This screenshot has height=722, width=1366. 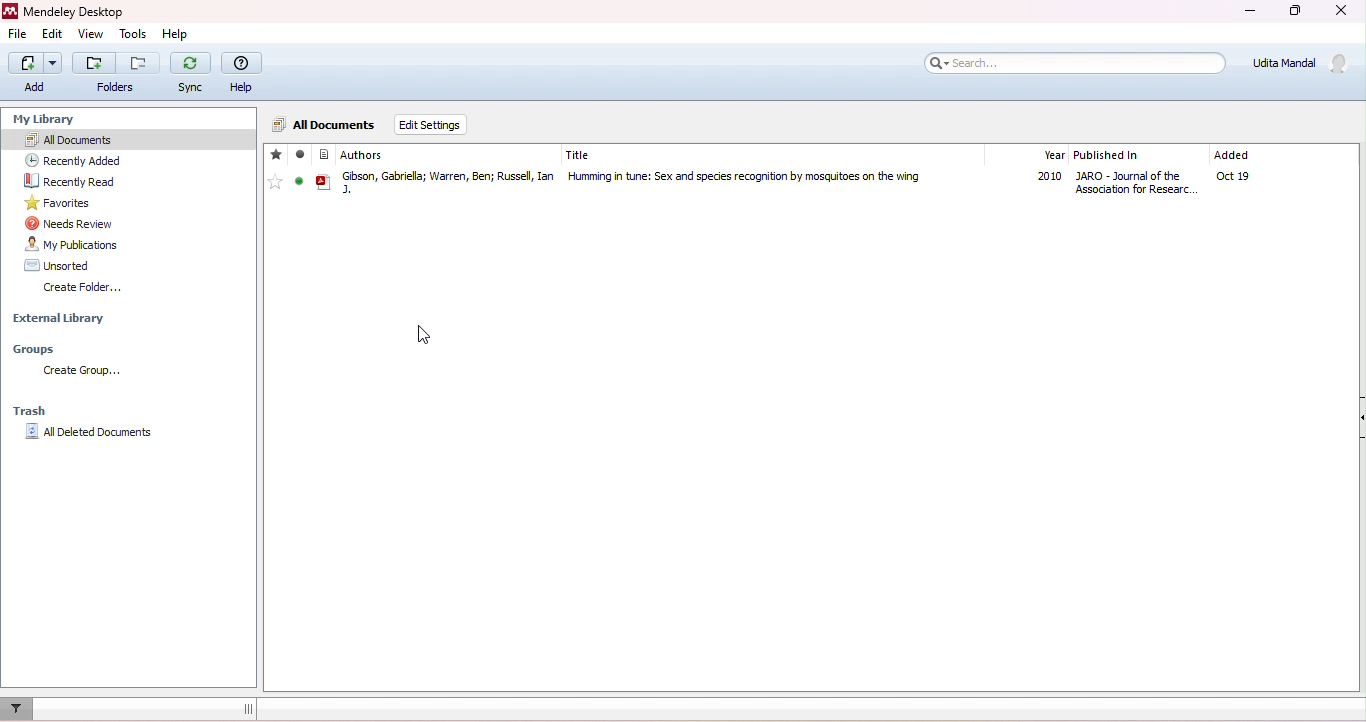 I want to click on 2010, so click(x=1048, y=177).